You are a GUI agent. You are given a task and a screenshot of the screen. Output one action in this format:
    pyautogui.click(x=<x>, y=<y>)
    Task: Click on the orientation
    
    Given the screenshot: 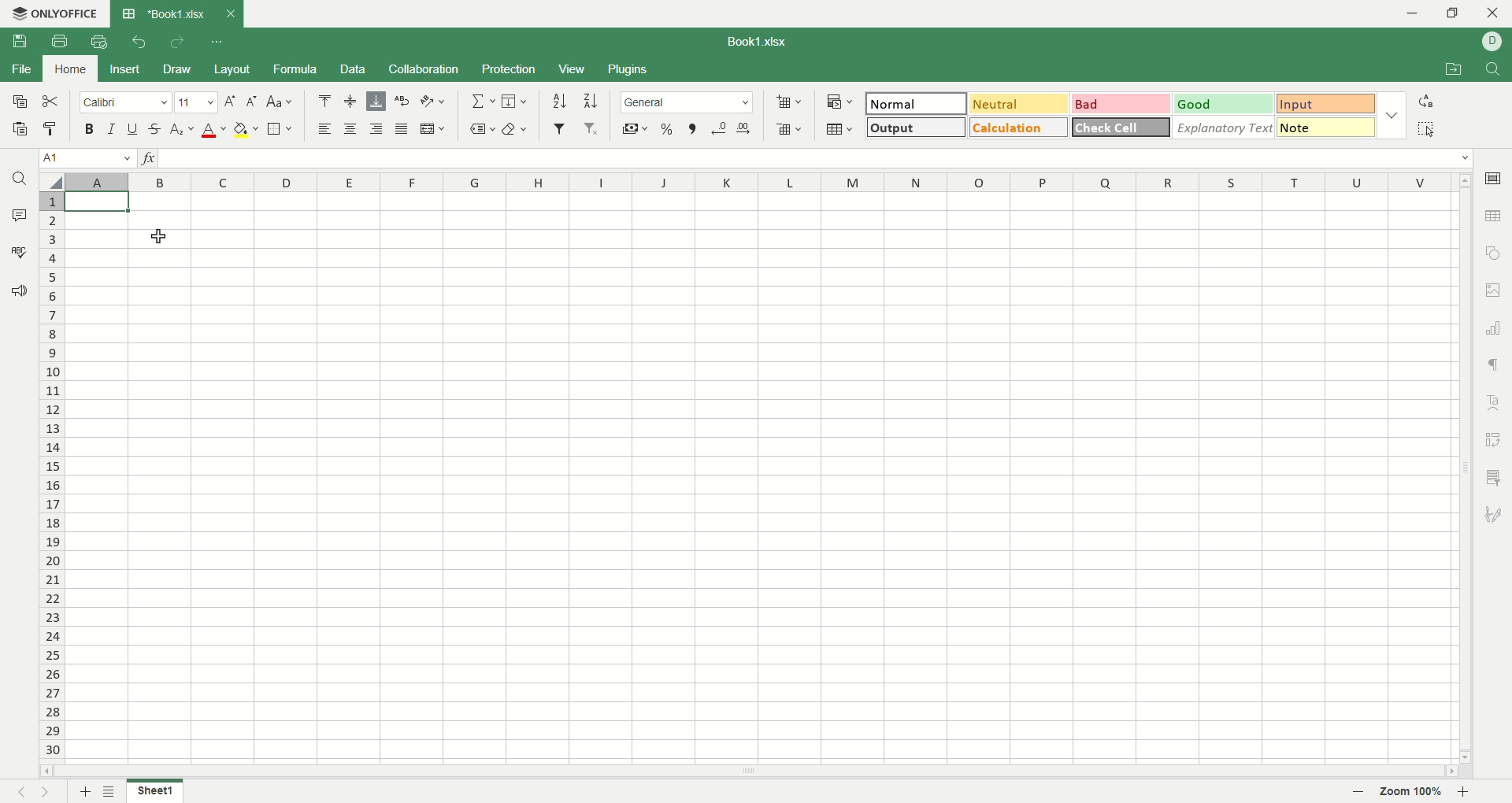 What is the action you would take?
    pyautogui.click(x=435, y=101)
    